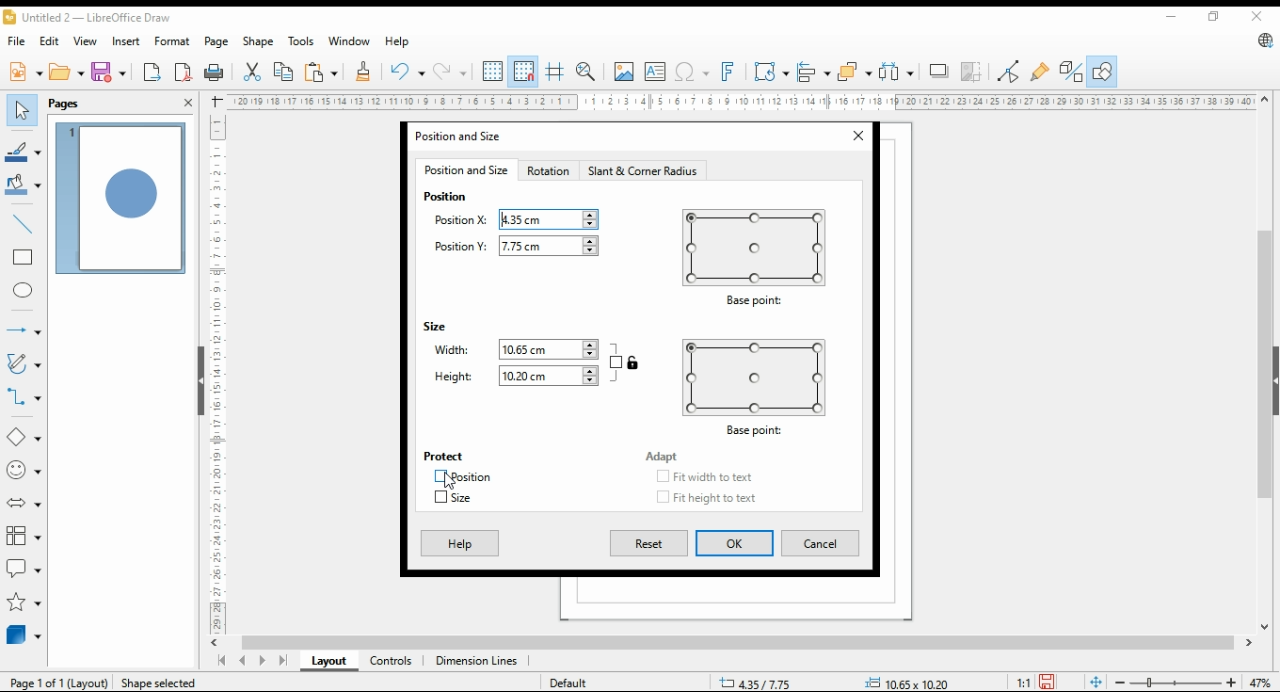  Describe the element at coordinates (23, 258) in the screenshot. I see `rectangle` at that location.